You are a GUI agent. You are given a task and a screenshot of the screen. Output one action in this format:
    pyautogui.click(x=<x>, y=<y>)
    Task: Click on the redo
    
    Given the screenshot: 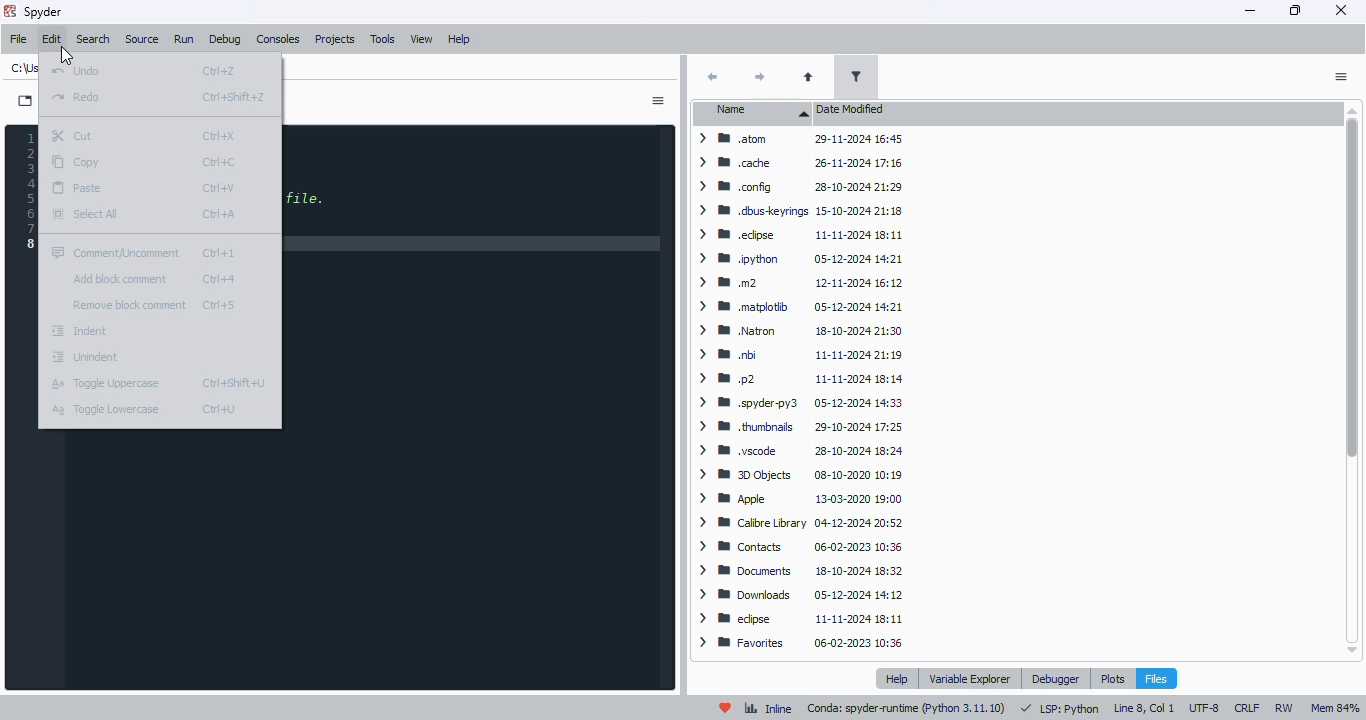 What is the action you would take?
    pyautogui.click(x=74, y=96)
    